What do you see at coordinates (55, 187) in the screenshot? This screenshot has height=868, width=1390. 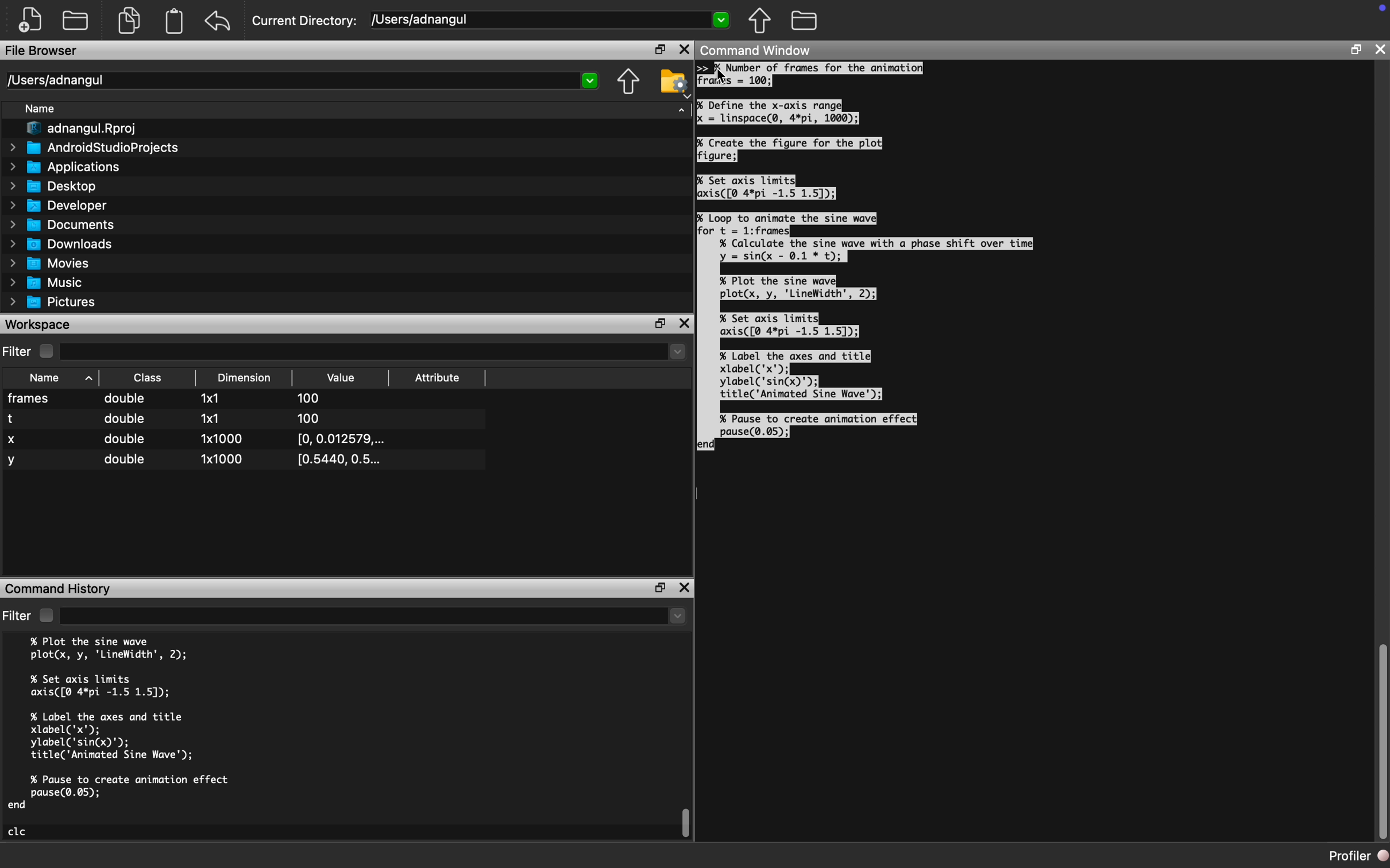 I see `Desktop` at bounding box center [55, 187].